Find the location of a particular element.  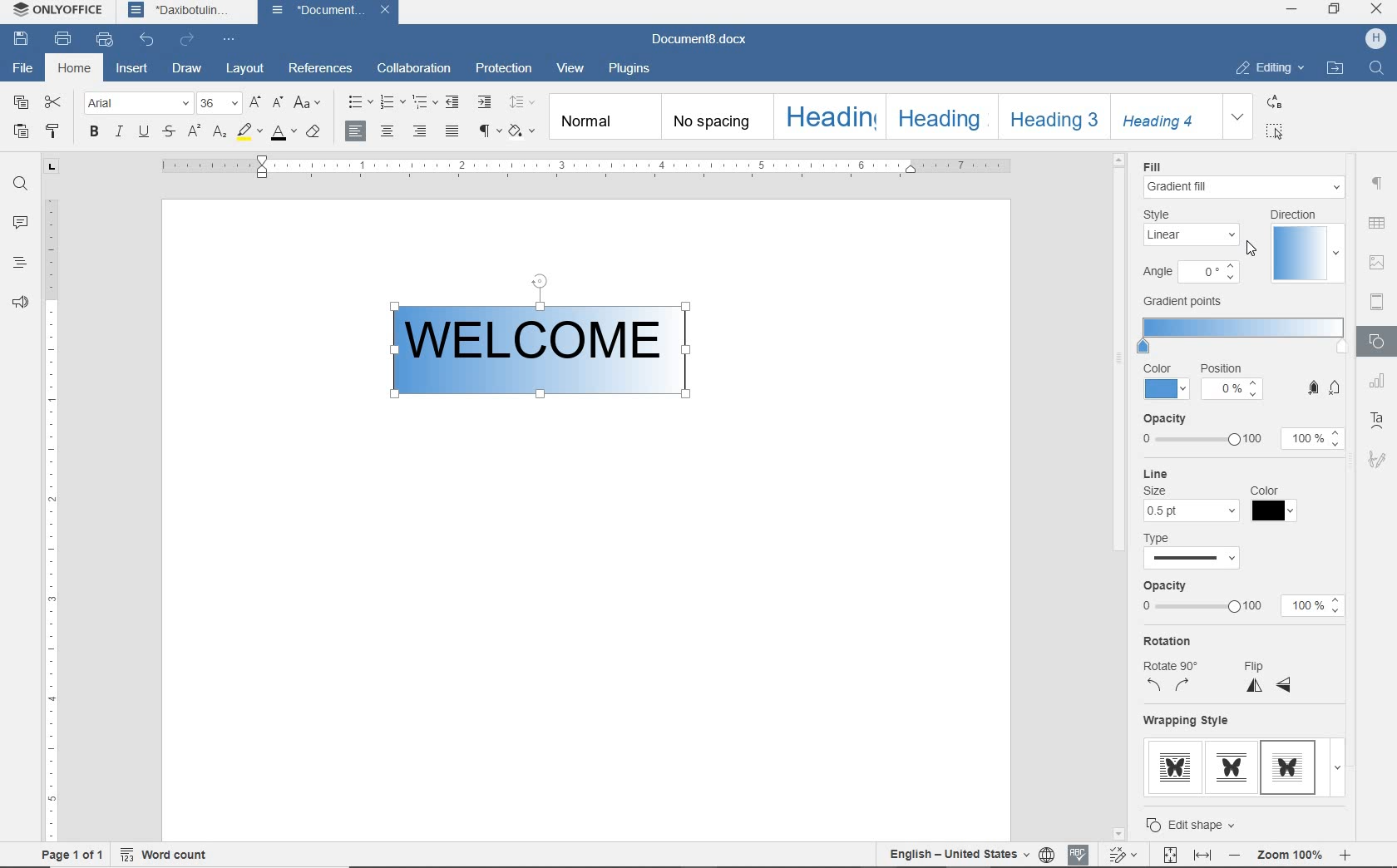

FIND is located at coordinates (20, 187).